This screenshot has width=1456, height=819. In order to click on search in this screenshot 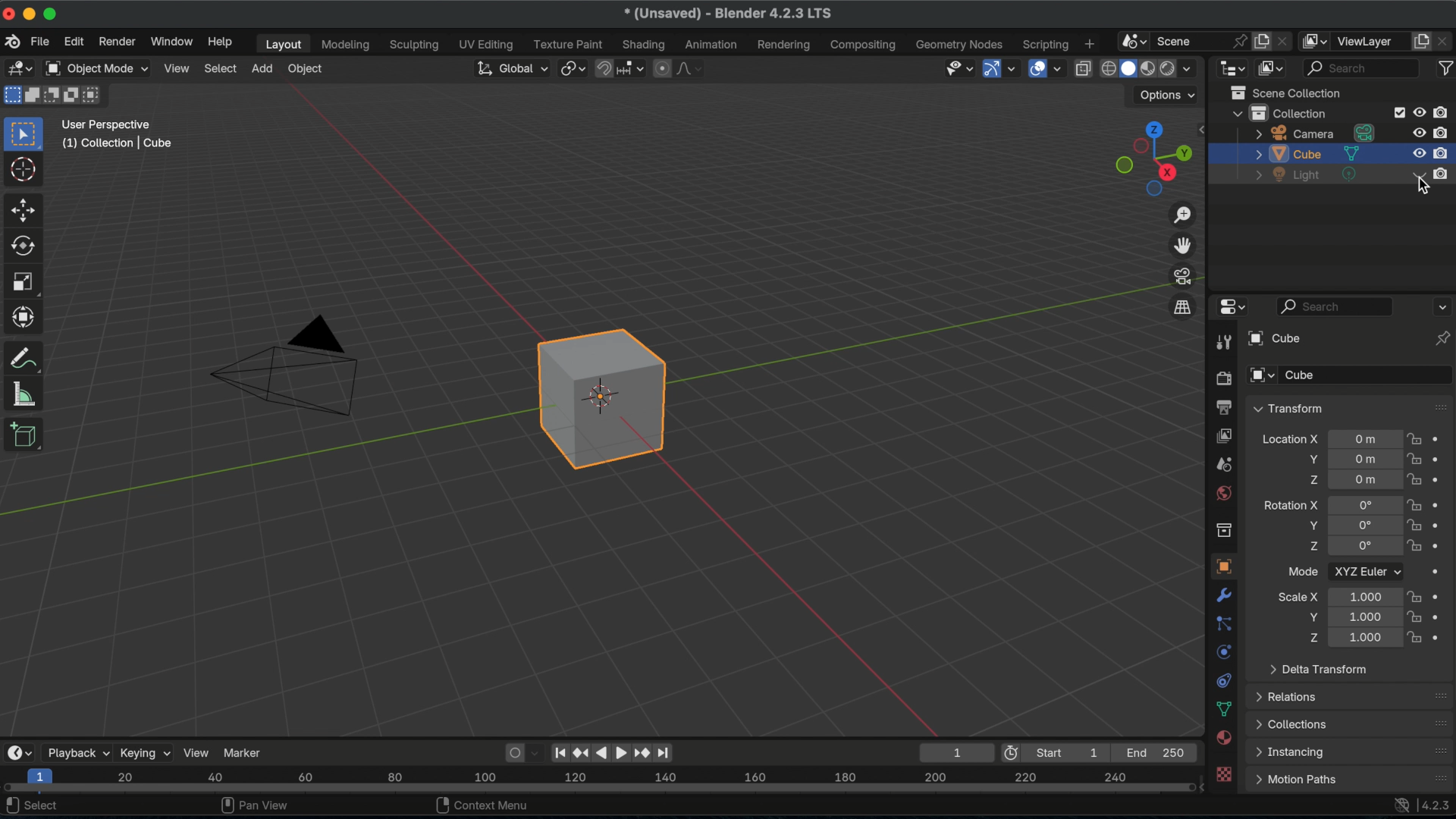, I will do `click(1336, 306)`.